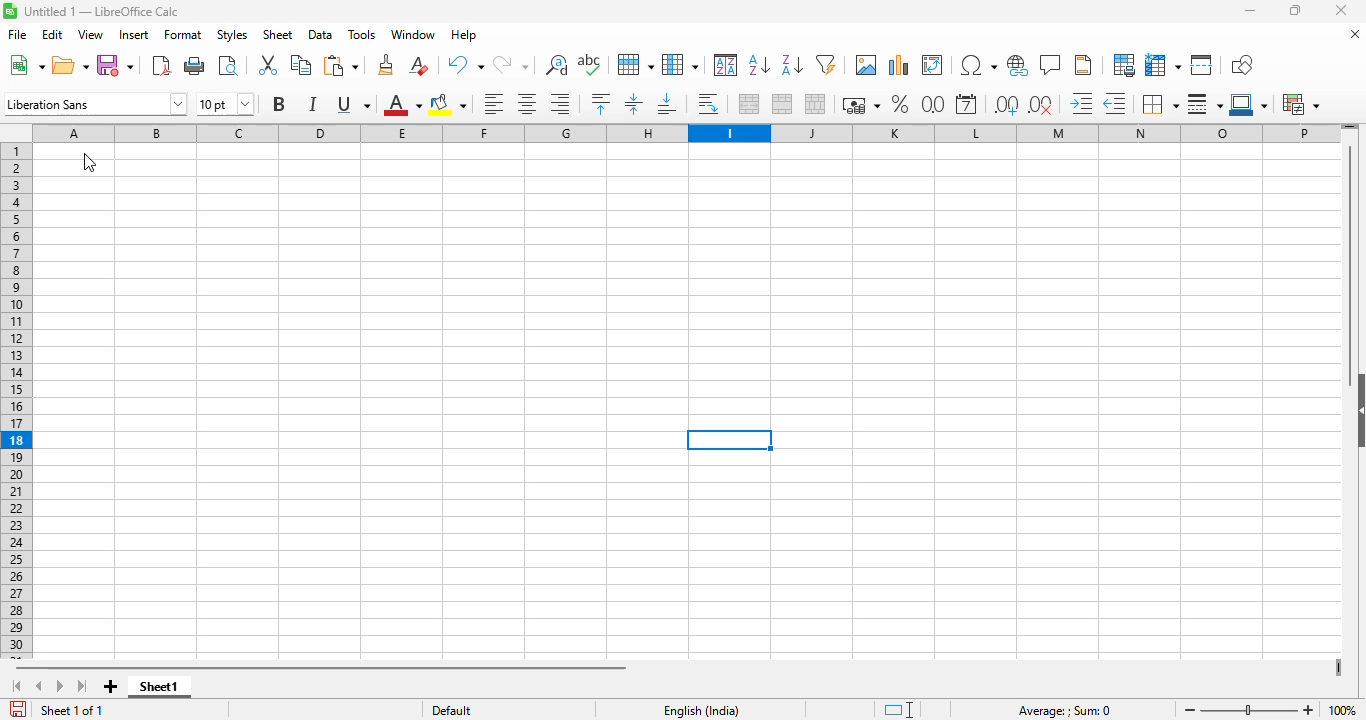 The width and height of the screenshot is (1366, 720). What do you see at coordinates (301, 64) in the screenshot?
I see `copy` at bounding box center [301, 64].